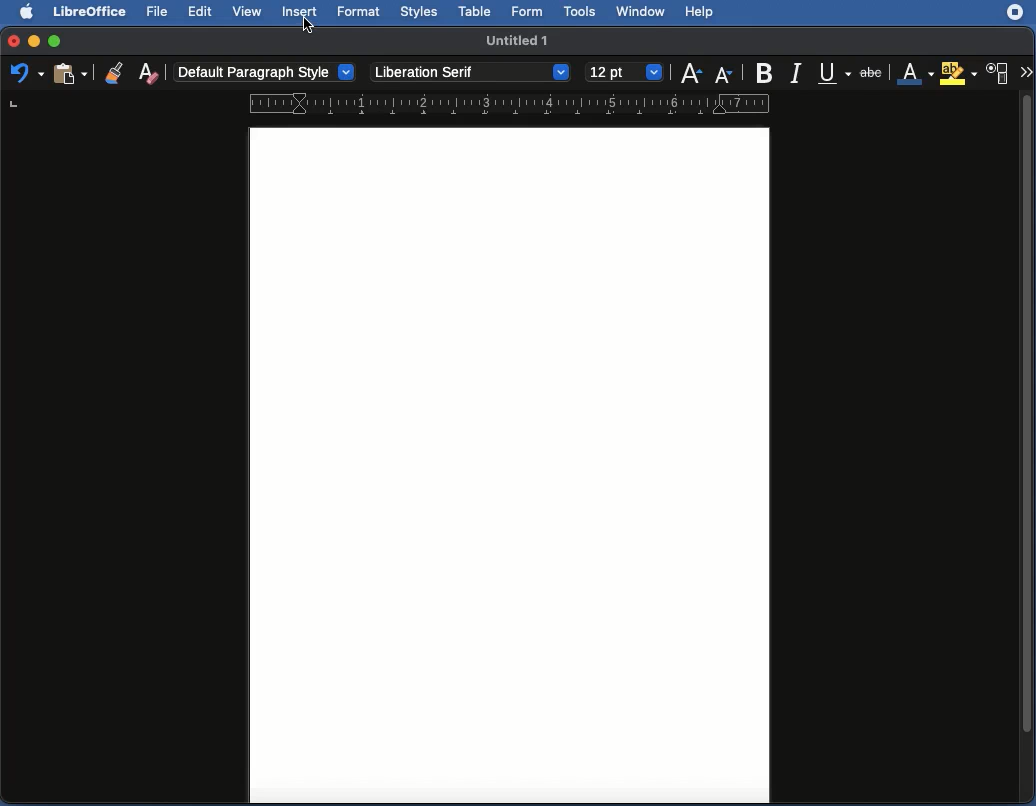 The height and width of the screenshot is (806, 1036). What do you see at coordinates (519, 39) in the screenshot?
I see `Name` at bounding box center [519, 39].